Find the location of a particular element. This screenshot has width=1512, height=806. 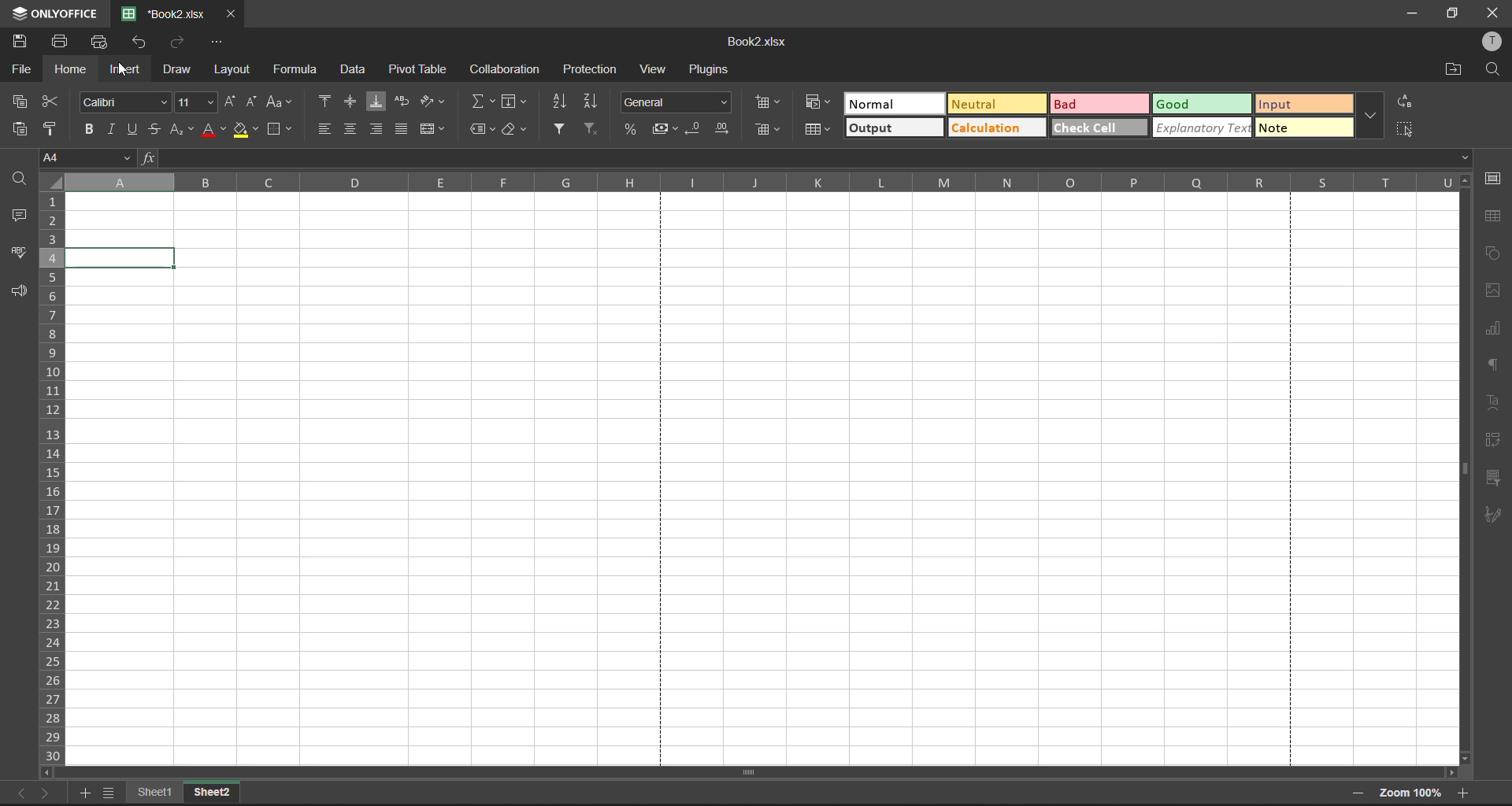

icon is located at coordinates (17, 14).